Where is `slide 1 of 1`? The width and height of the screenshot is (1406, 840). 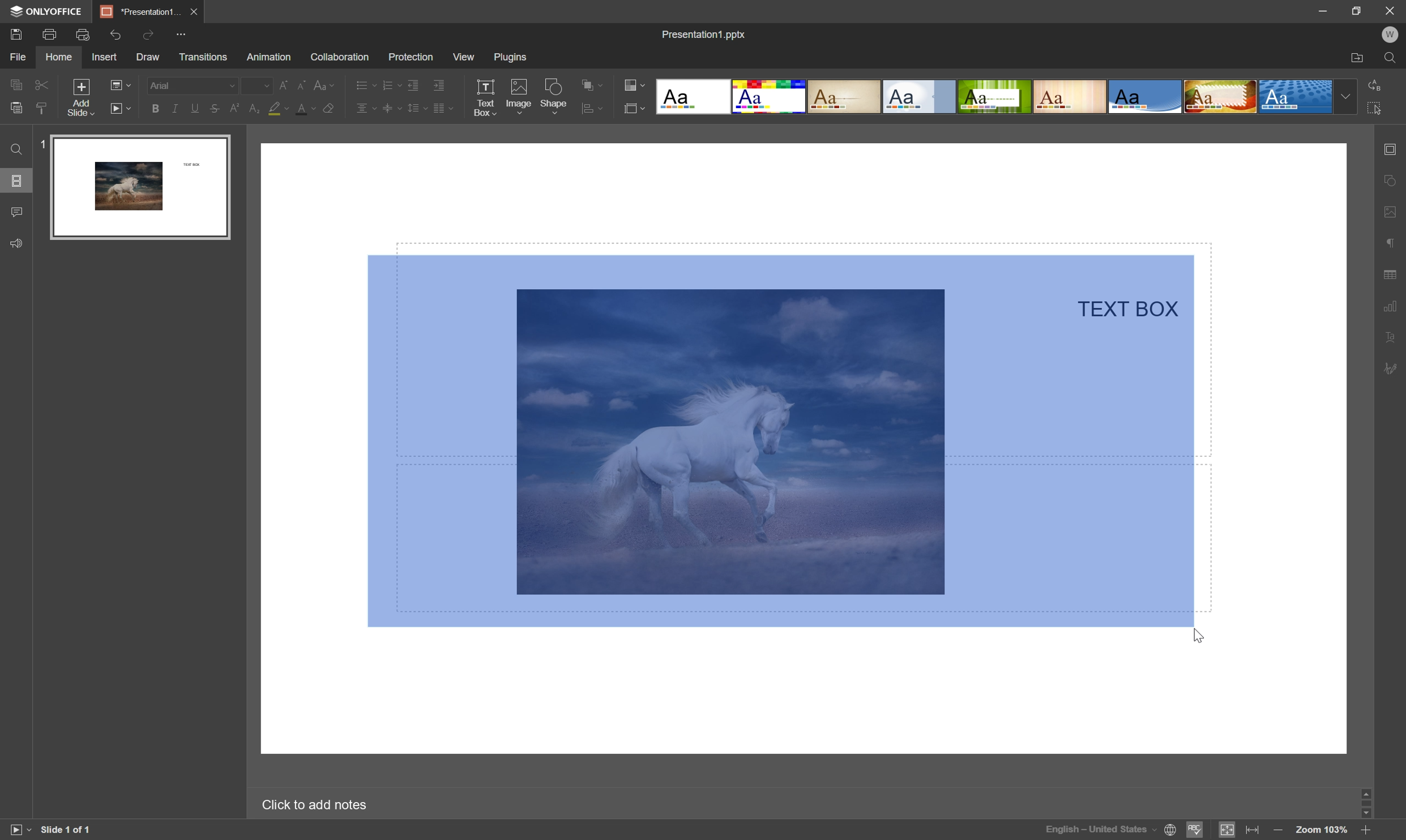
slide 1 of 1 is located at coordinates (67, 830).